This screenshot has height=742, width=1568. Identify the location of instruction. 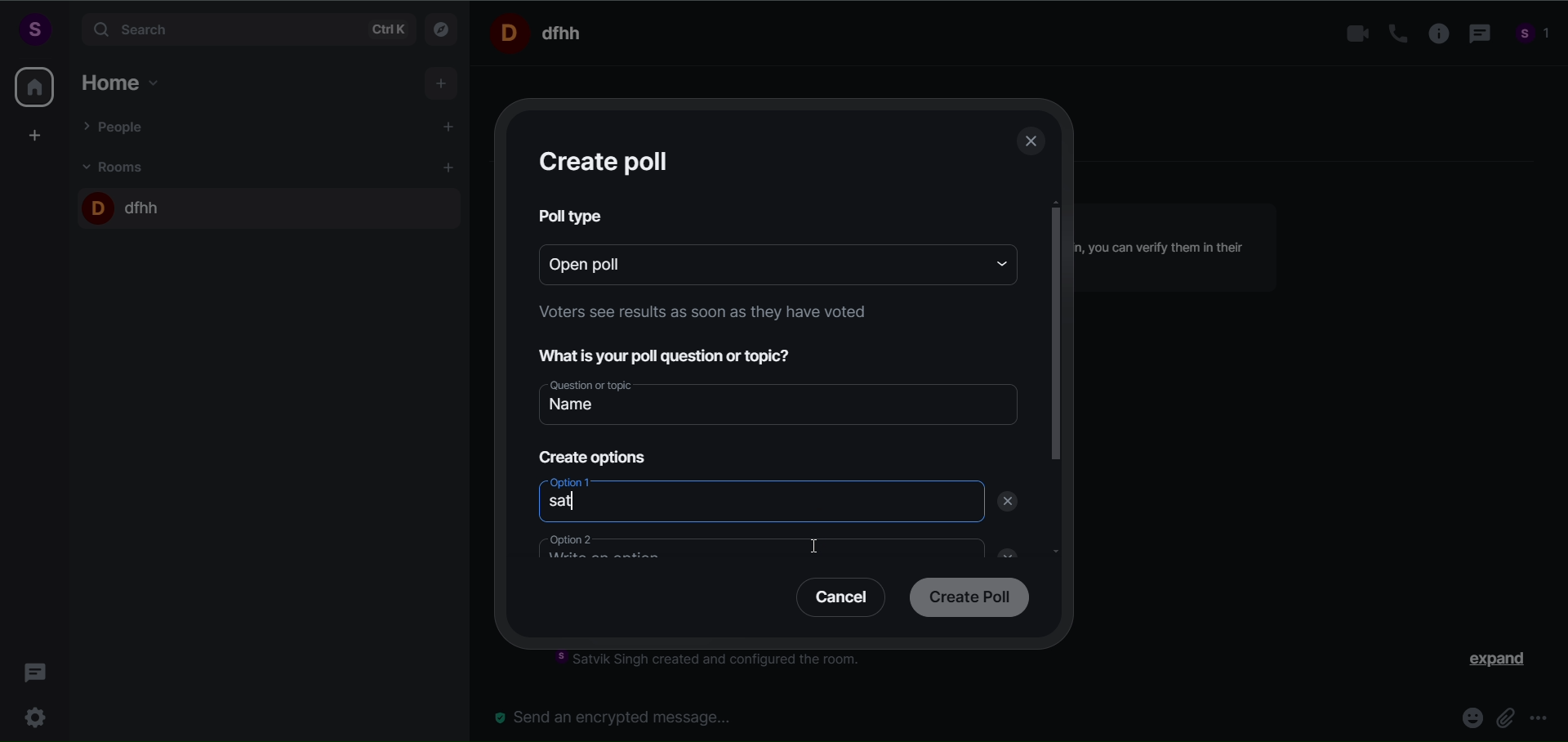
(719, 662).